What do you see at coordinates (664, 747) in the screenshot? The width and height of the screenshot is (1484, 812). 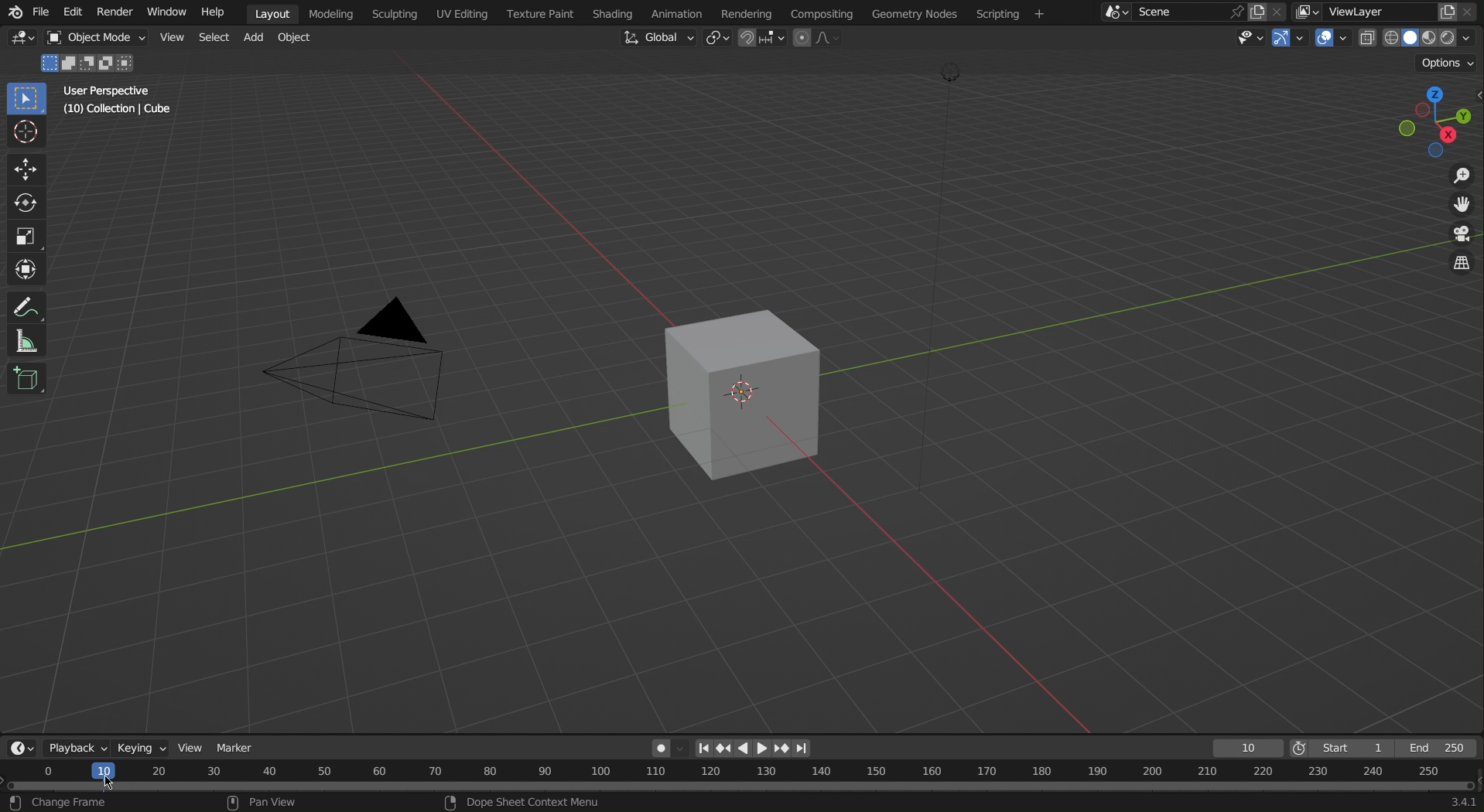 I see `Auto-Keying` at bounding box center [664, 747].